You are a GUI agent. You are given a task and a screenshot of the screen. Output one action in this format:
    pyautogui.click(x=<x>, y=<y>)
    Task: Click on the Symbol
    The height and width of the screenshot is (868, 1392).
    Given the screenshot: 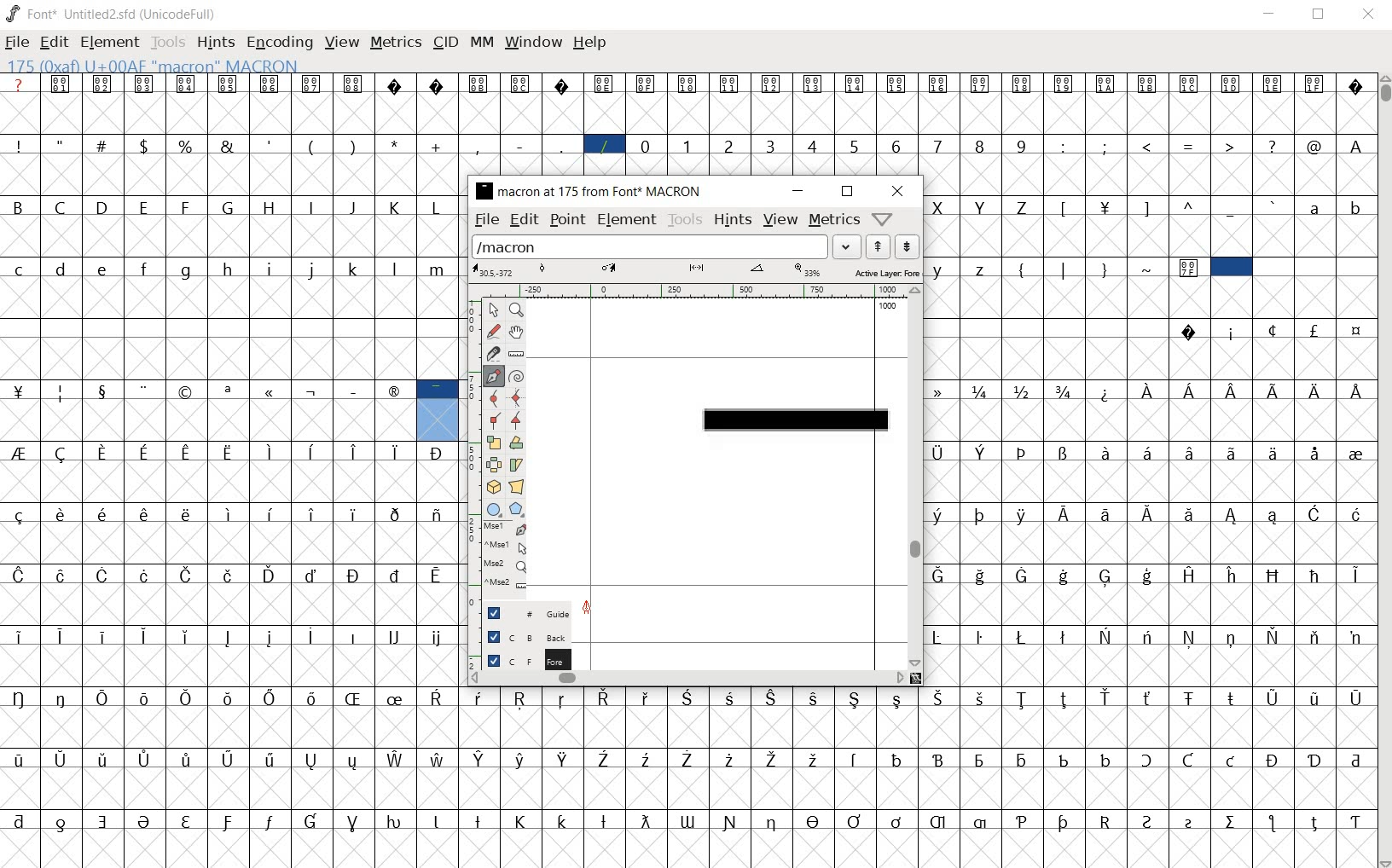 What is the action you would take?
    pyautogui.click(x=106, y=635)
    